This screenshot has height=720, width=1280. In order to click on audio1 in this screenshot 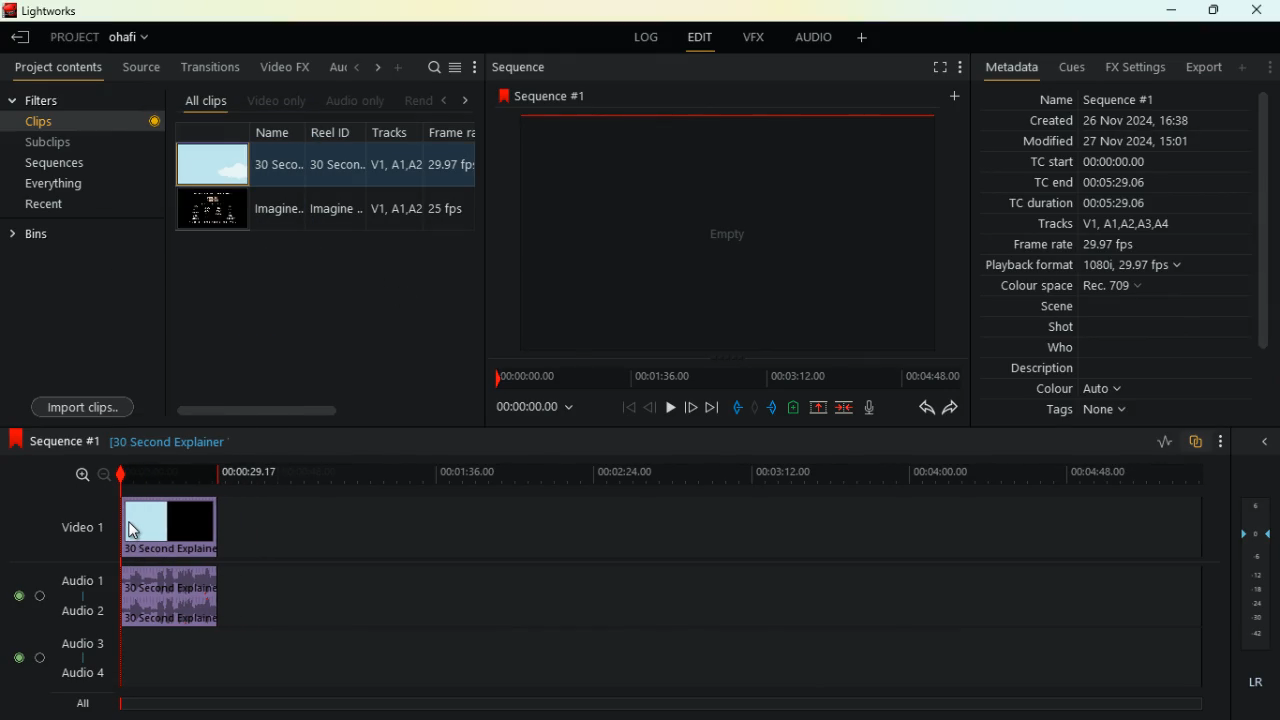, I will do `click(83, 581)`.